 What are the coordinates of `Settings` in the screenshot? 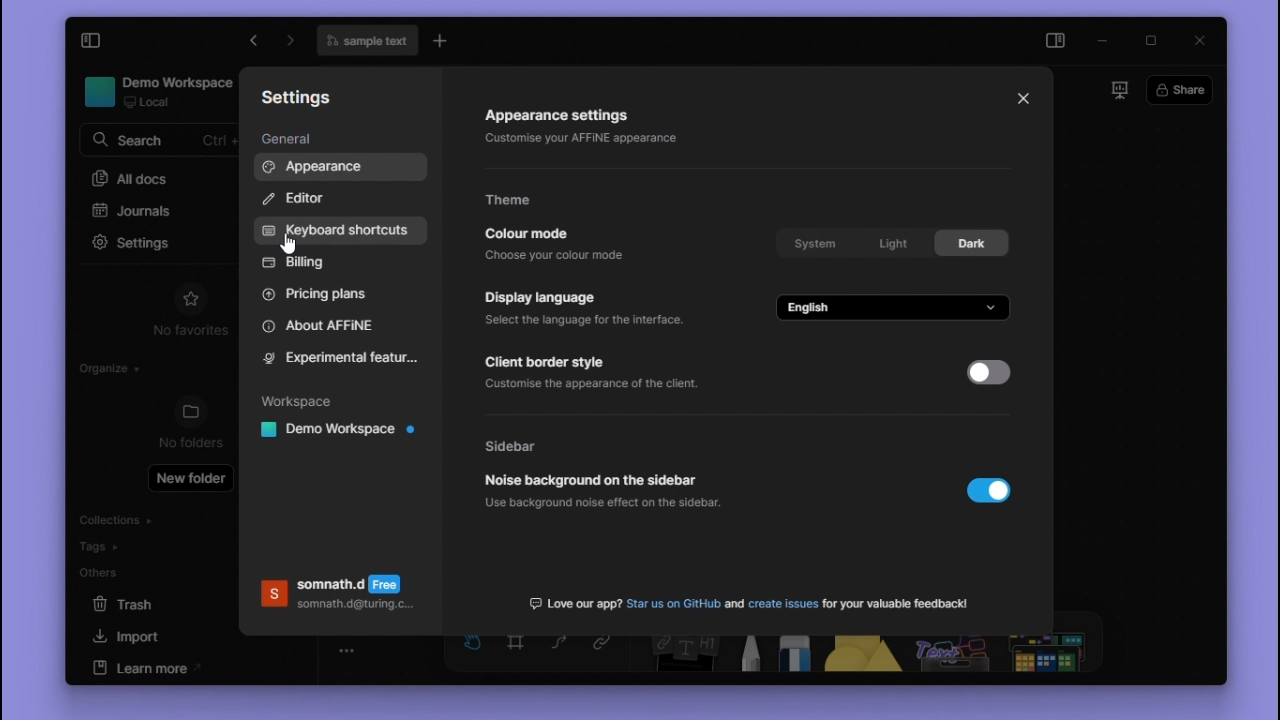 It's located at (305, 100).